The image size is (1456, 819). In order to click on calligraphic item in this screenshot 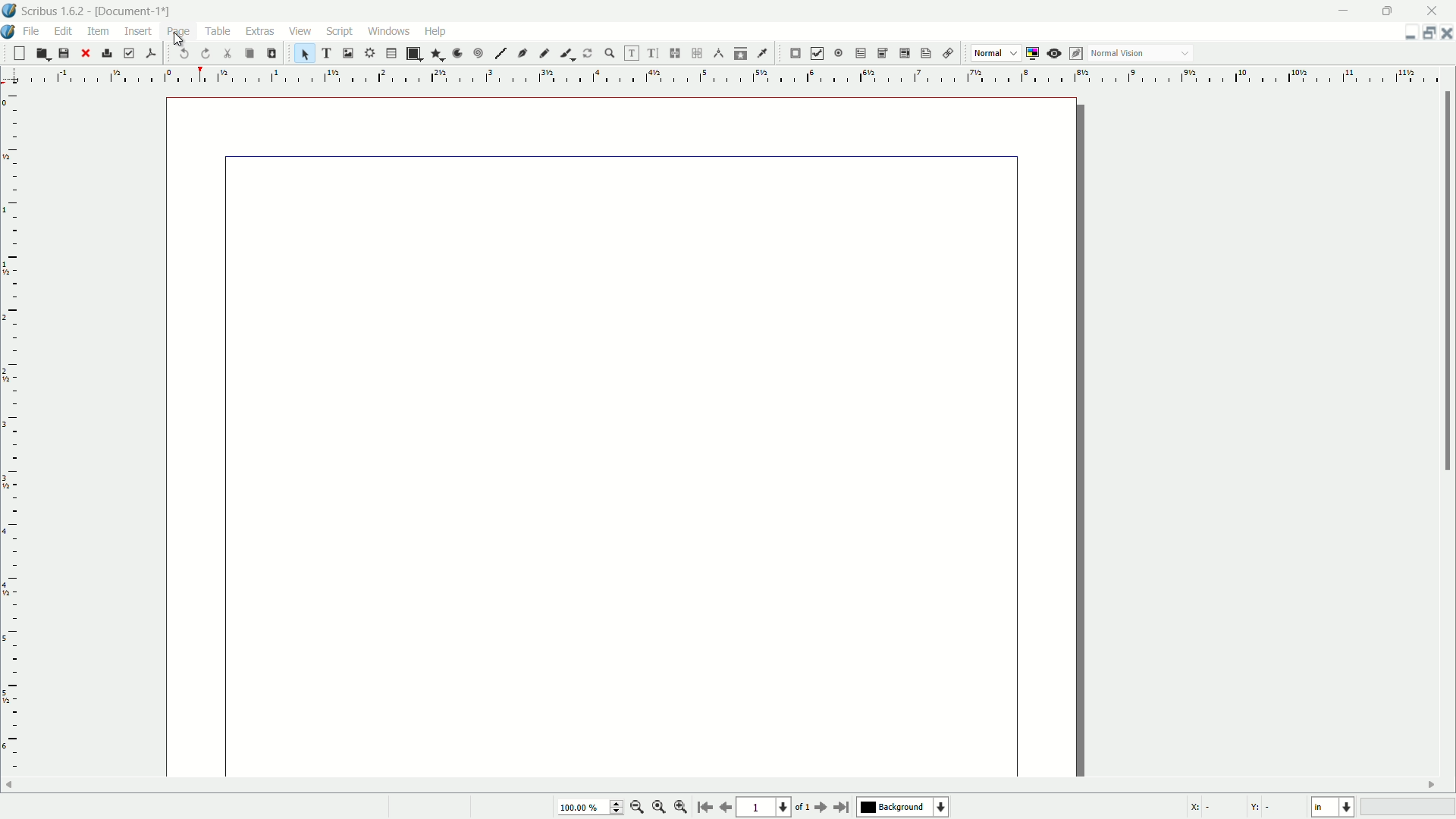, I will do `click(565, 53)`.